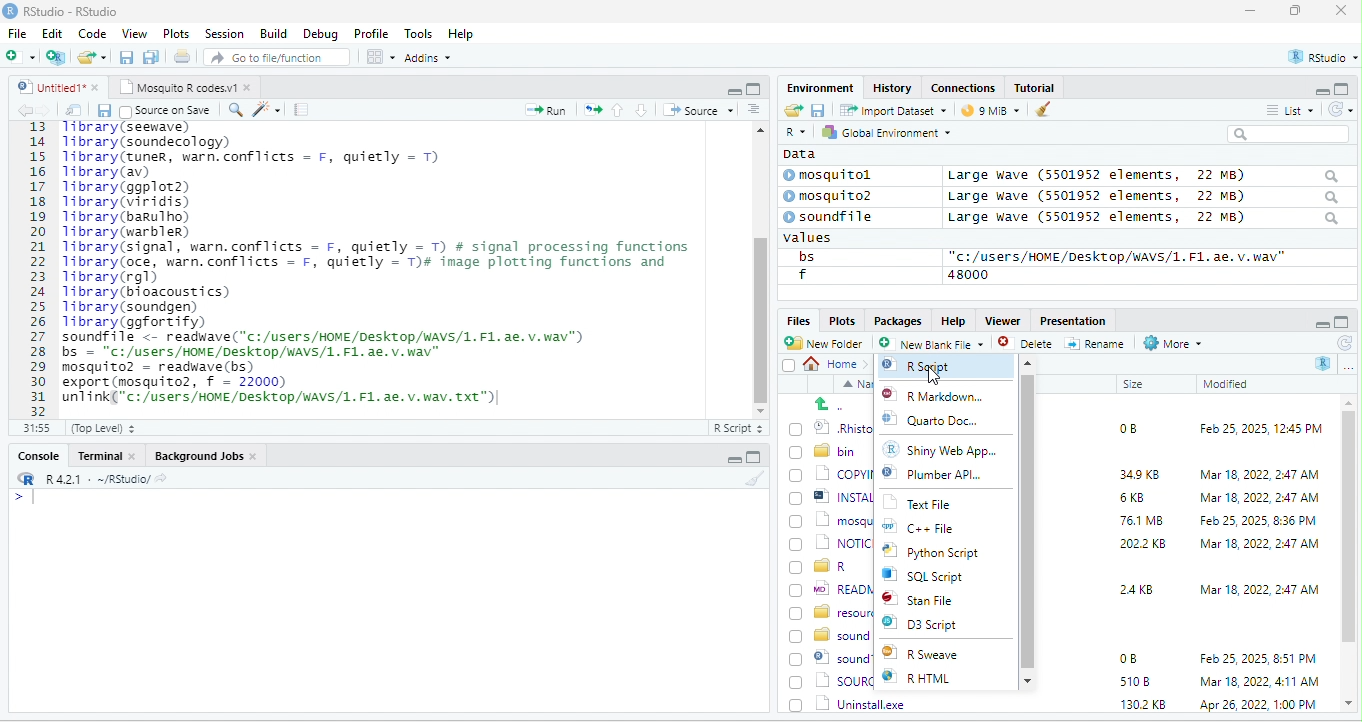 The width and height of the screenshot is (1362, 722). What do you see at coordinates (1141, 519) in the screenshot?
I see `76.1 MB` at bounding box center [1141, 519].